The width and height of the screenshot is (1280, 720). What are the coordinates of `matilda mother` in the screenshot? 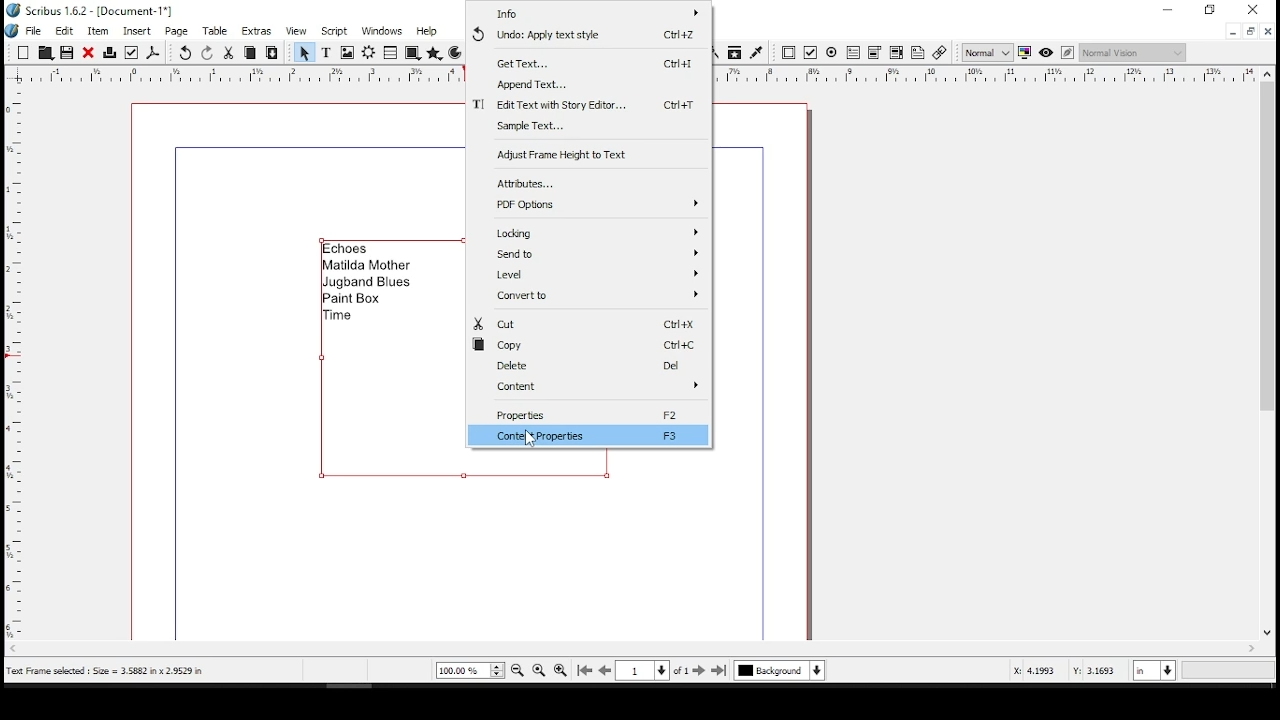 It's located at (367, 266).